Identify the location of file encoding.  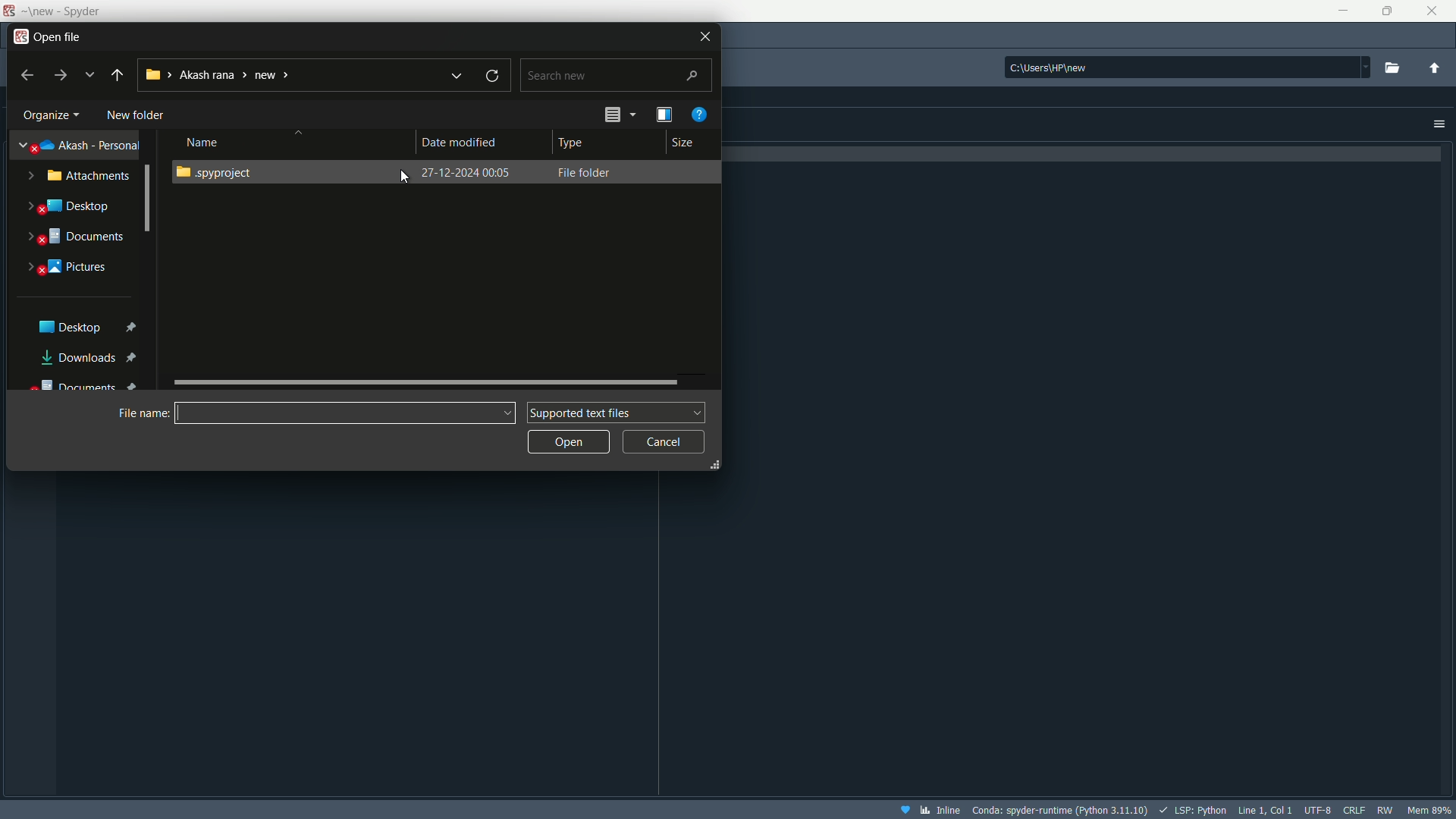
(1319, 810).